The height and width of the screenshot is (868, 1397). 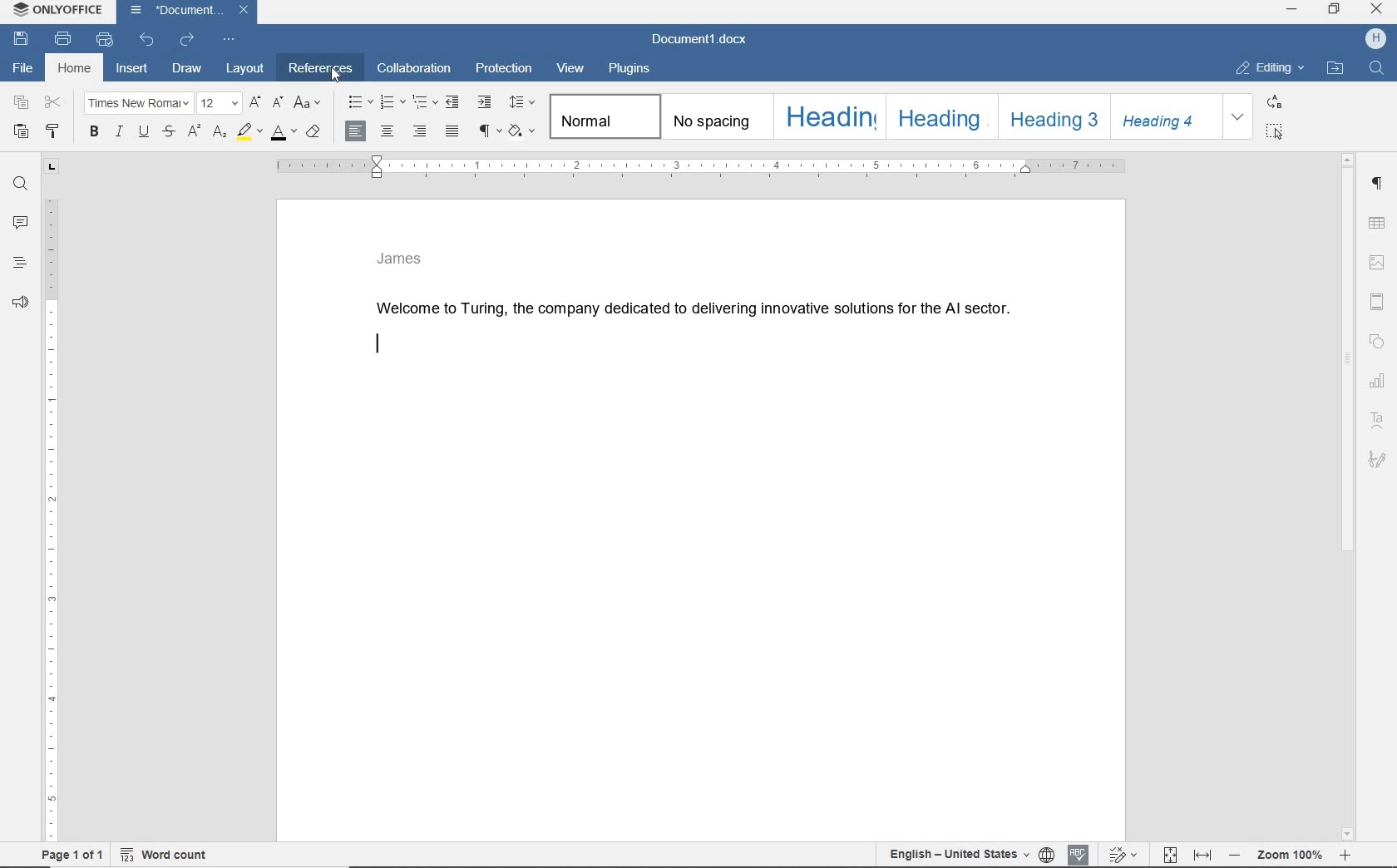 What do you see at coordinates (358, 101) in the screenshot?
I see `bullets` at bounding box center [358, 101].